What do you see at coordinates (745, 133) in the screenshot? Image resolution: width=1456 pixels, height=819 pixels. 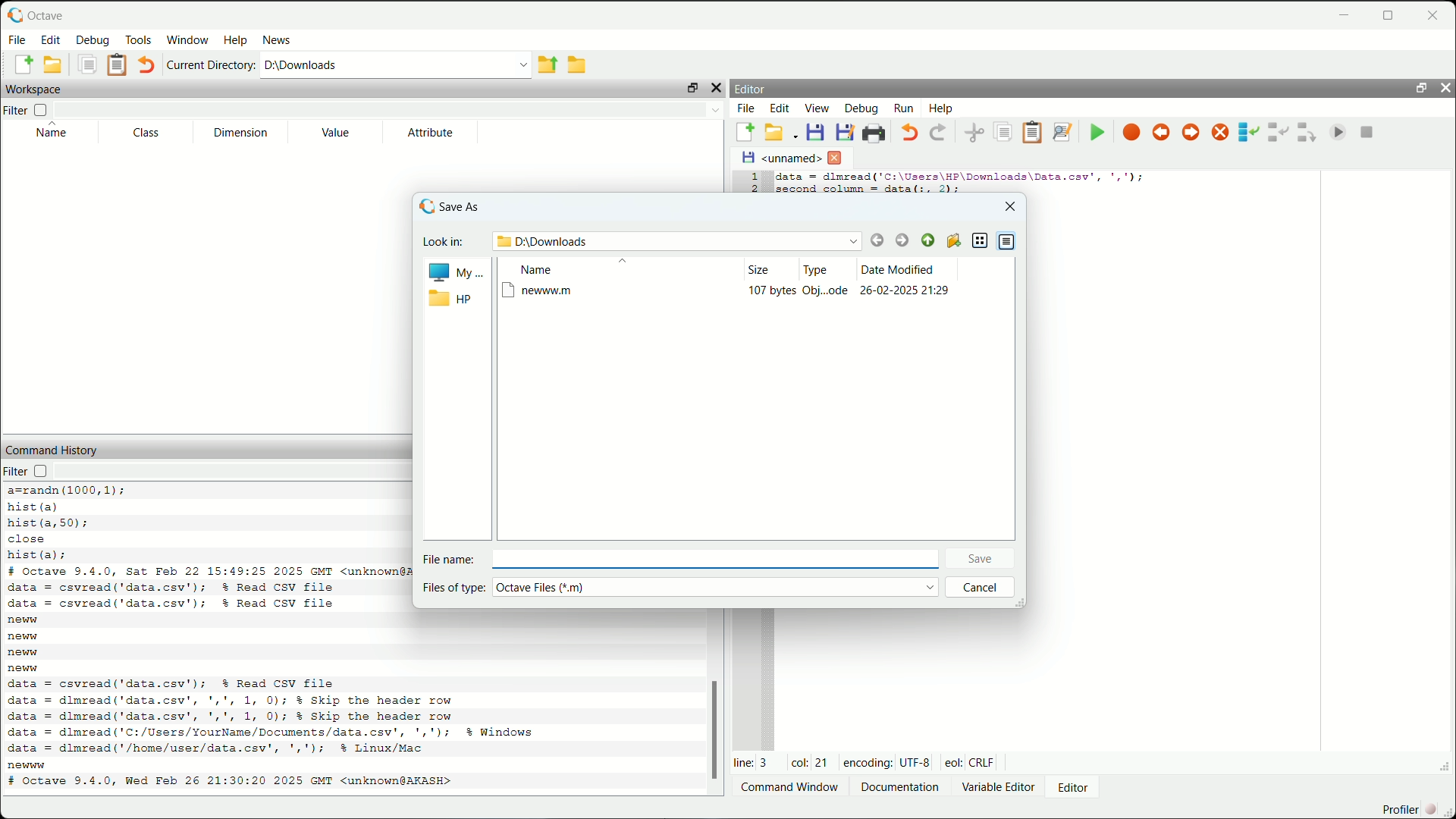 I see `new script` at bounding box center [745, 133].